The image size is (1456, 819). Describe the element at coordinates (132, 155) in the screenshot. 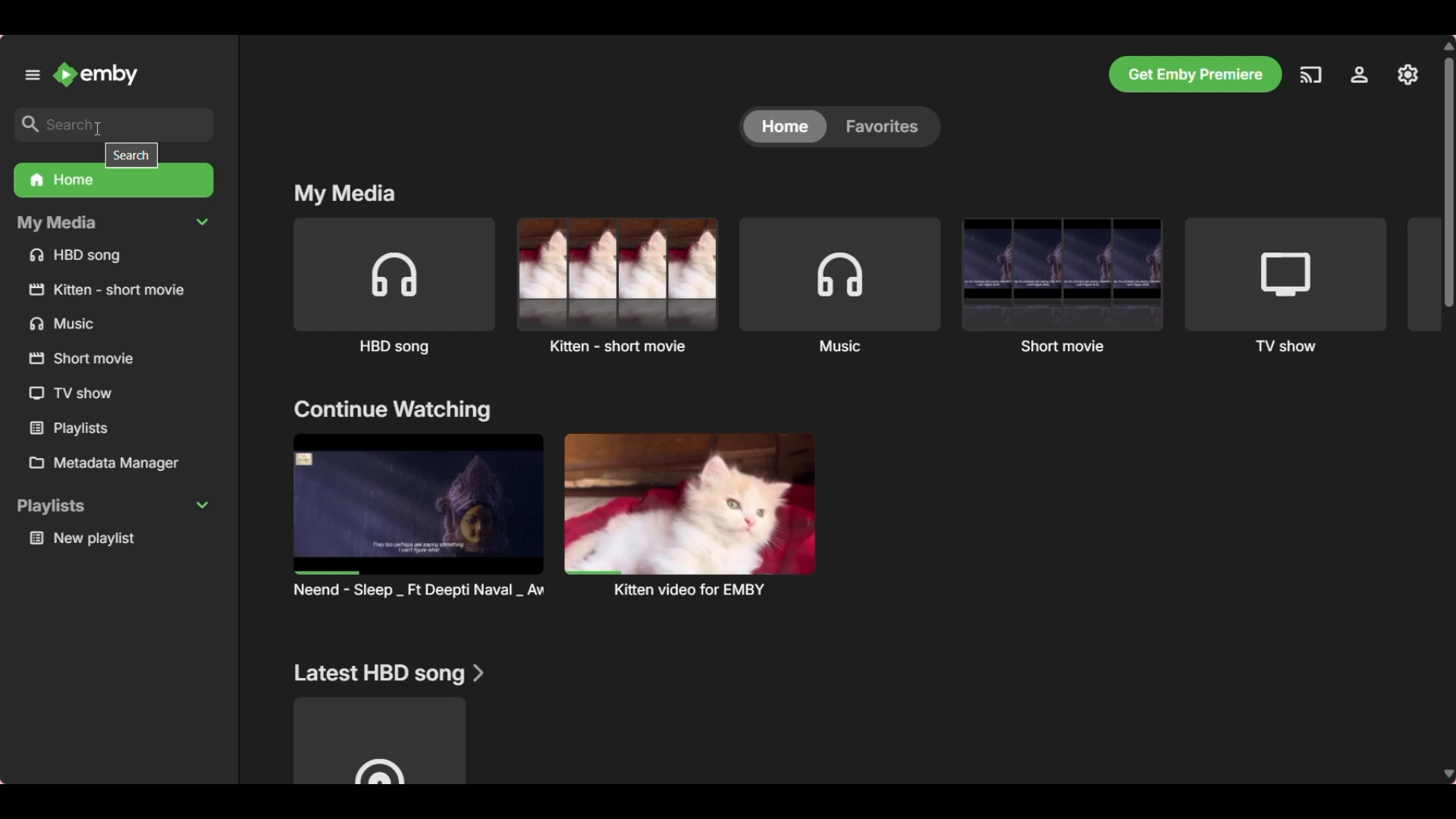

I see `Description of selected icon` at that location.